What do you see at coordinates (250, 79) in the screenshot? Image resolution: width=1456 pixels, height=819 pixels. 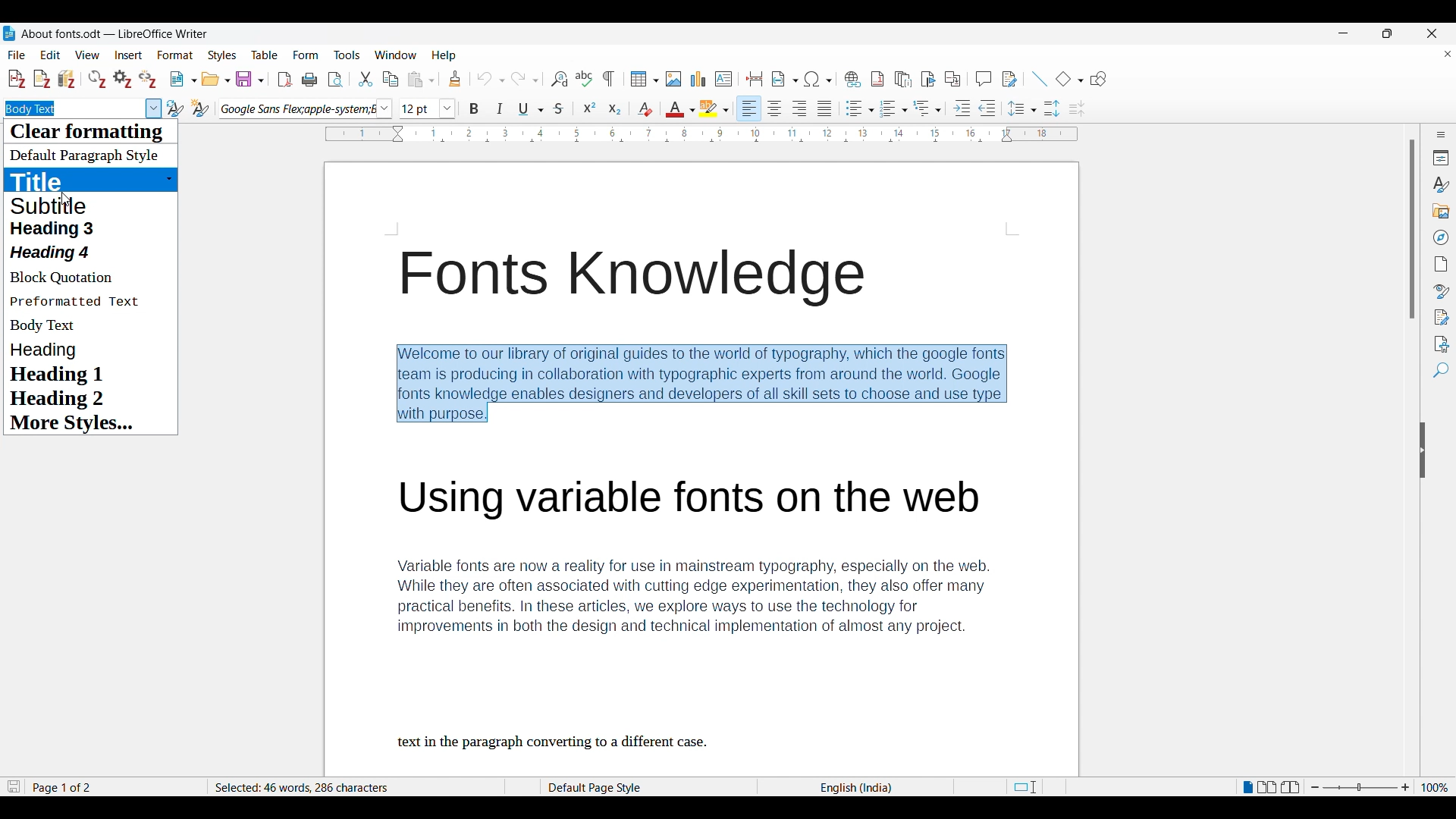 I see `Save` at bounding box center [250, 79].